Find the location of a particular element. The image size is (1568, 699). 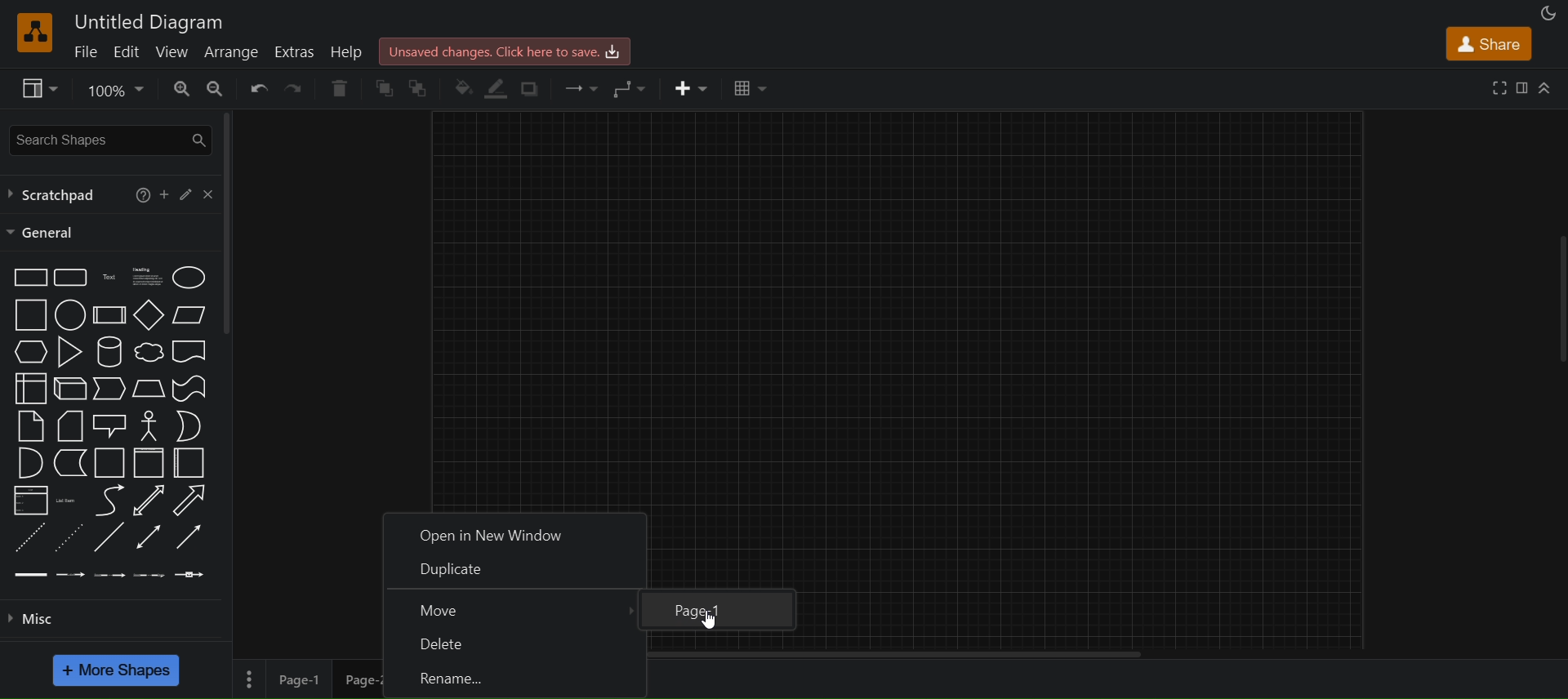

rectsngle is located at coordinates (29, 278).